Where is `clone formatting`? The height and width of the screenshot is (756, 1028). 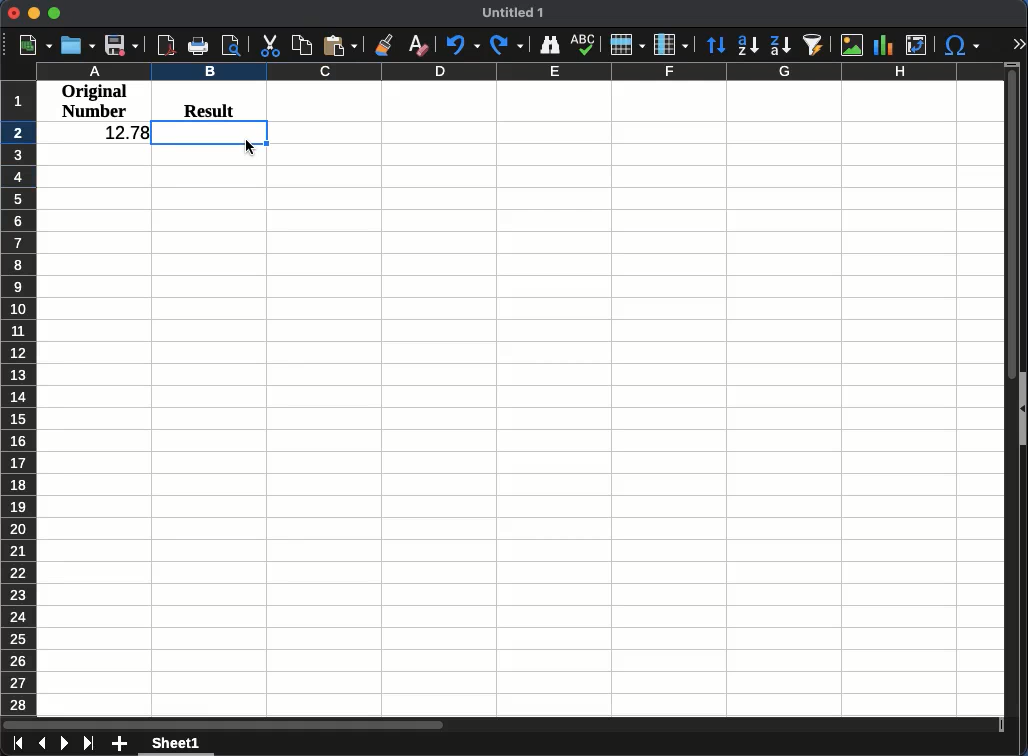 clone formatting is located at coordinates (385, 44).